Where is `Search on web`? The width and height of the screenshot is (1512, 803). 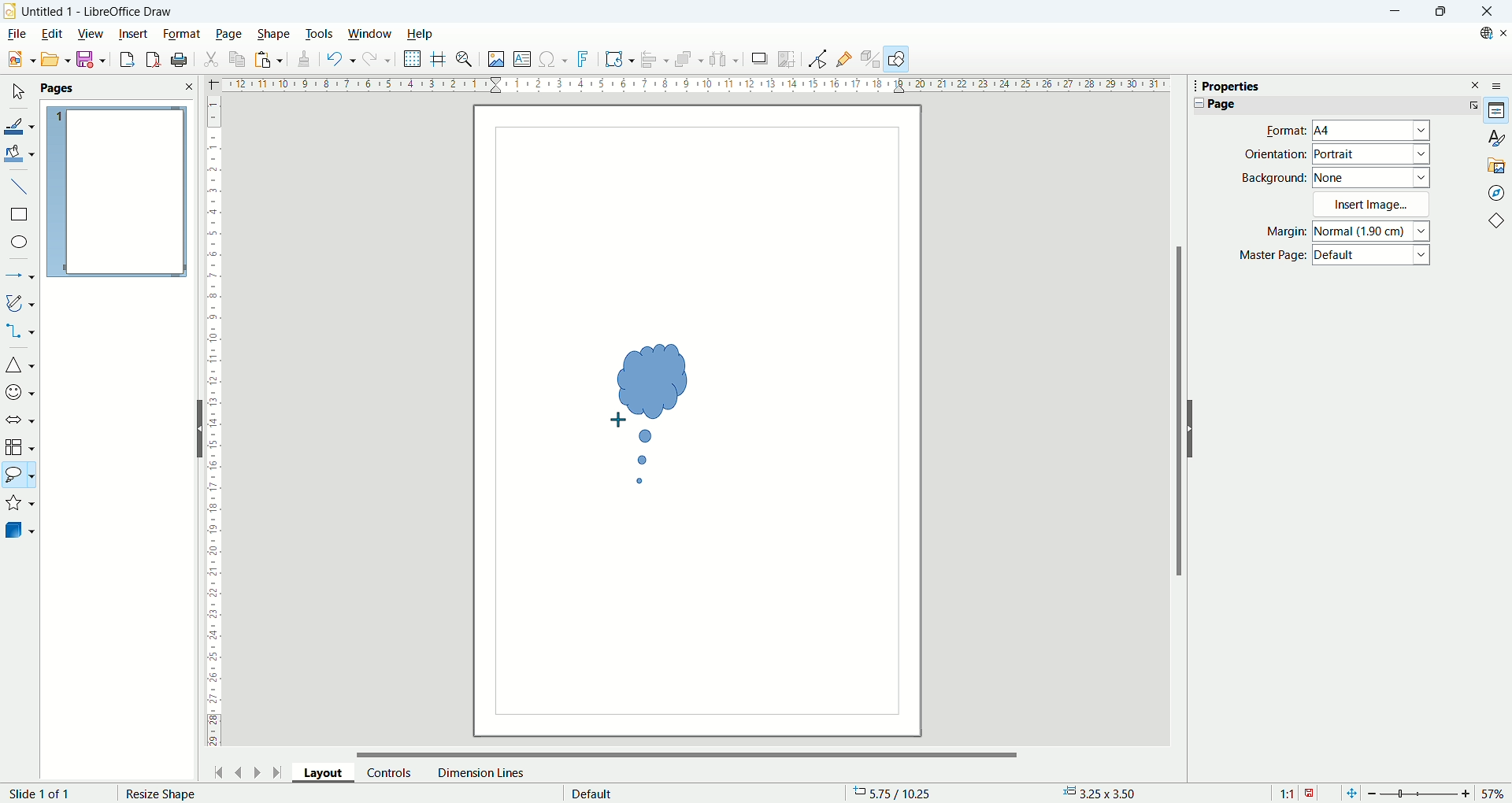 Search on web is located at coordinates (1480, 33).